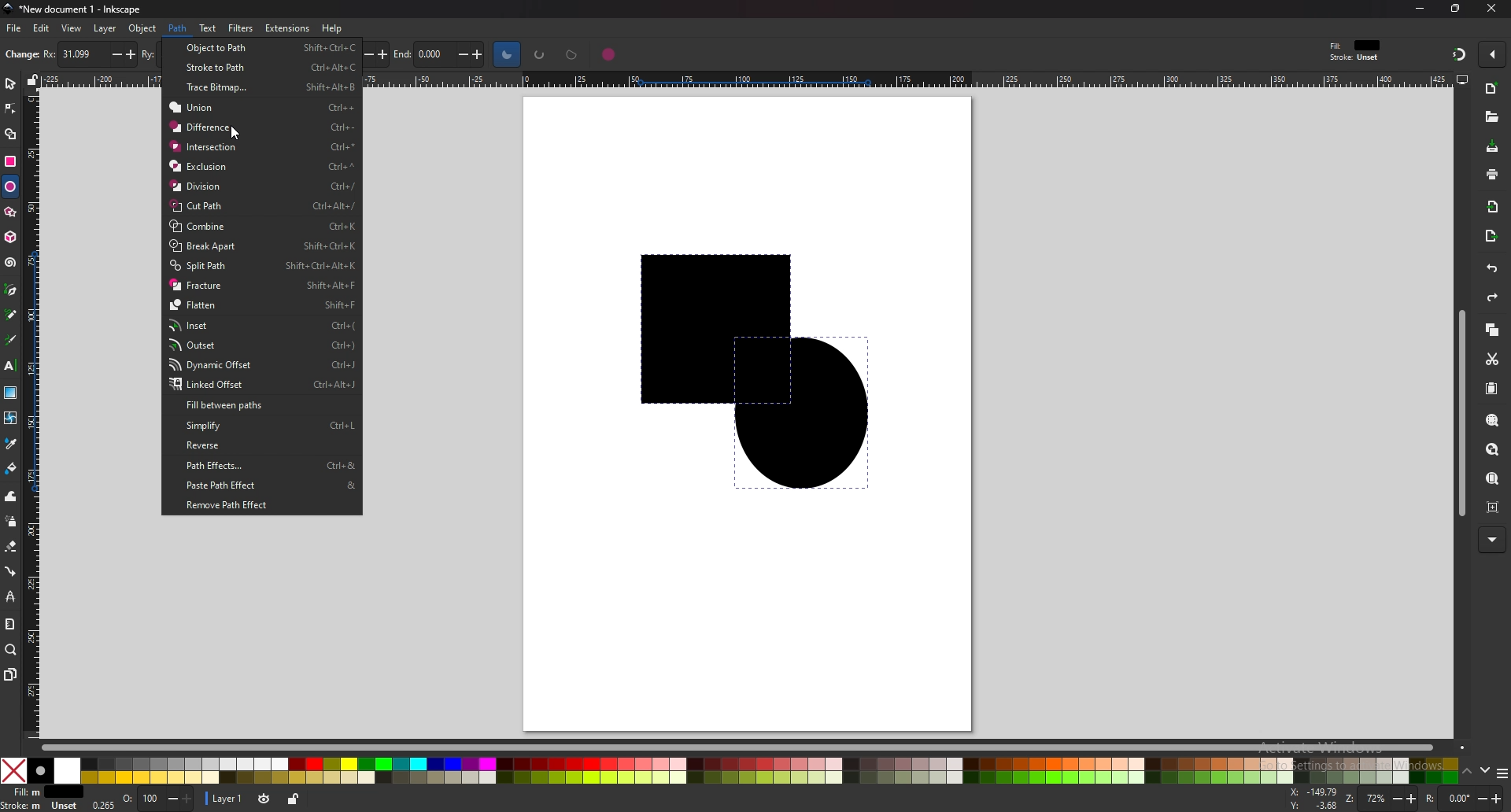 This screenshot has height=812, width=1511. I want to click on help, so click(331, 28).